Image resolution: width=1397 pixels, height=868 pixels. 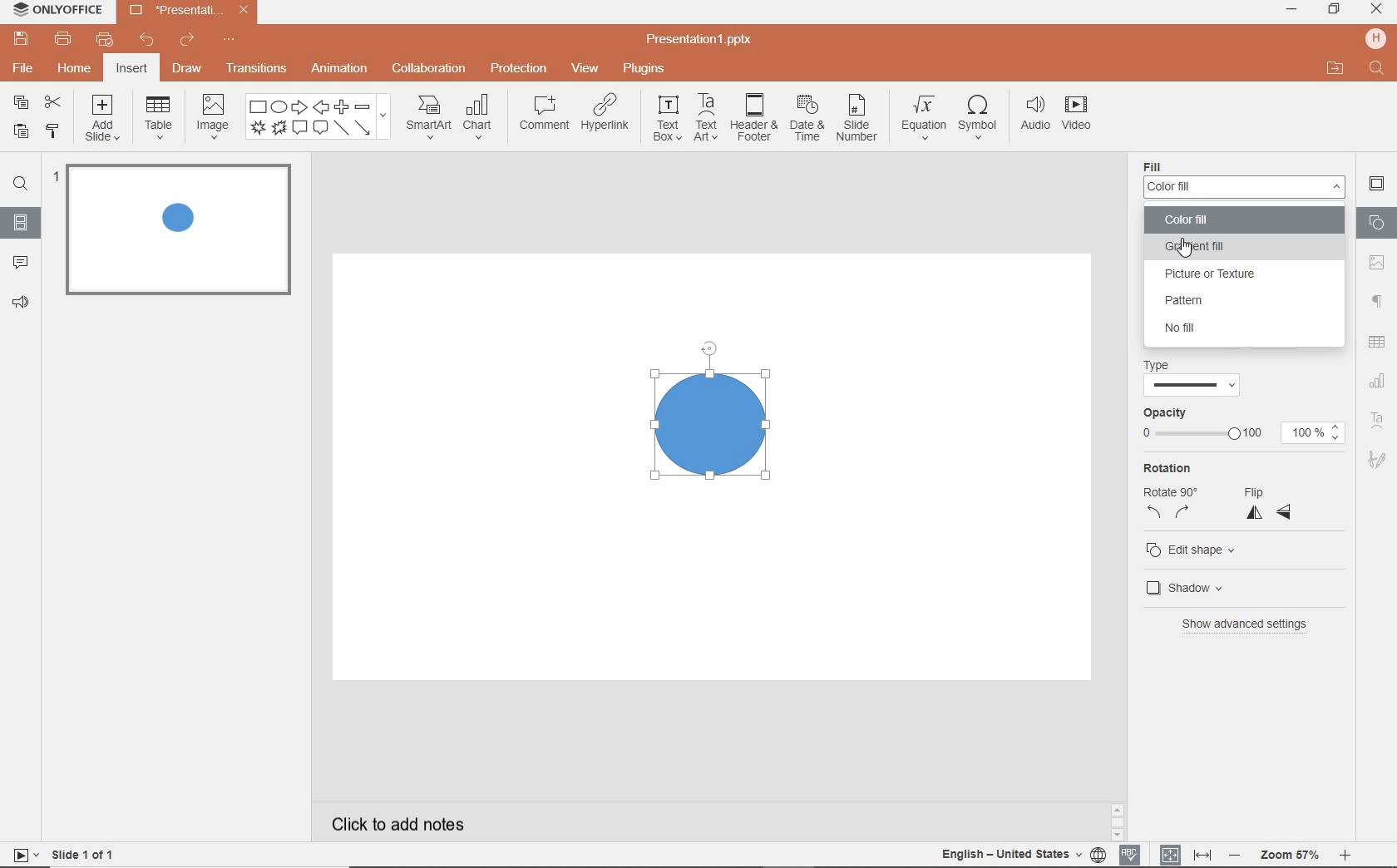 What do you see at coordinates (1200, 379) in the screenshot?
I see `line Type` at bounding box center [1200, 379].